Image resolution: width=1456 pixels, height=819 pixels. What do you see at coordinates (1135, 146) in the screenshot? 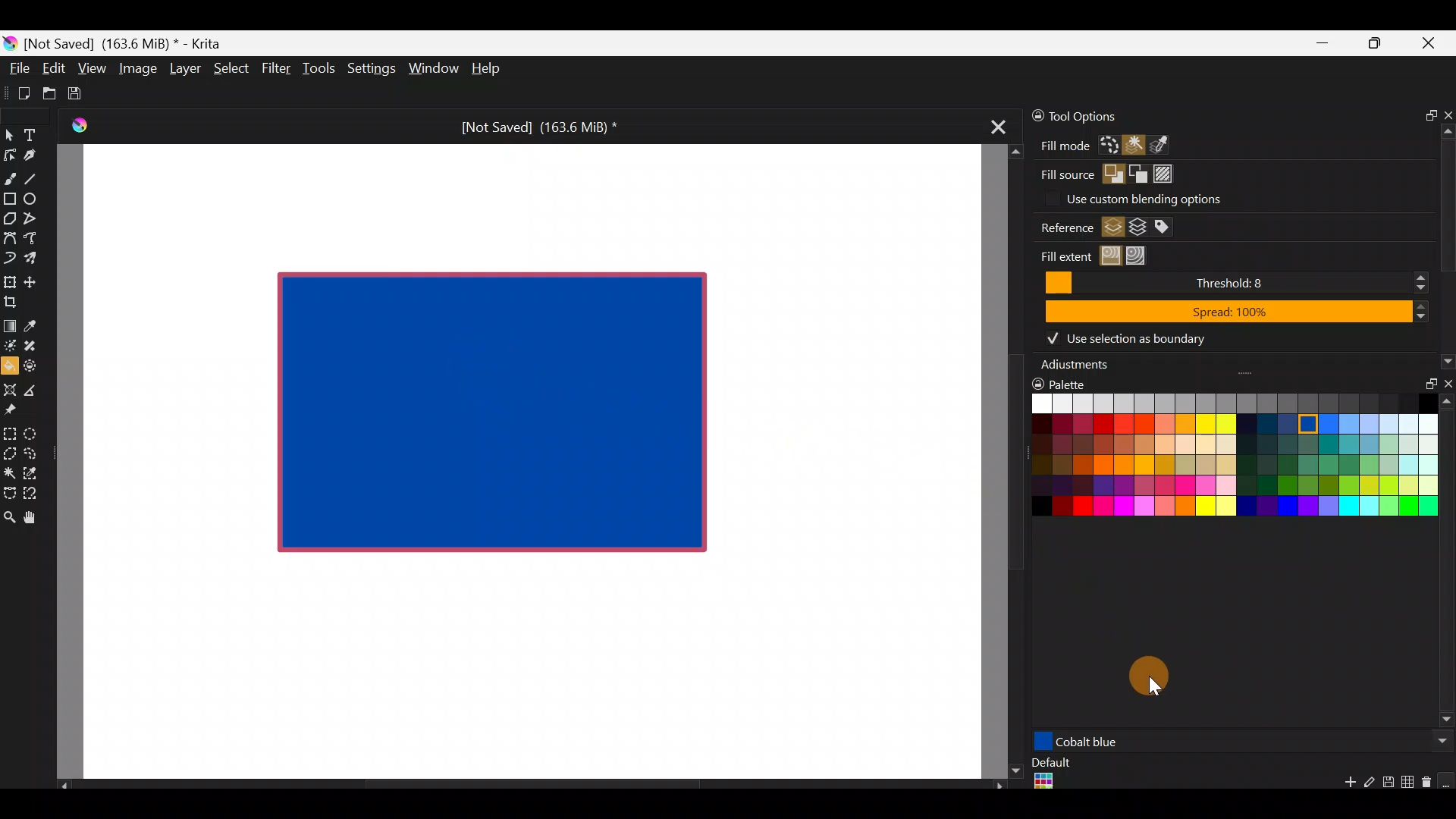
I see `Fill a contiguous region` at bounding box center [1135, 146].